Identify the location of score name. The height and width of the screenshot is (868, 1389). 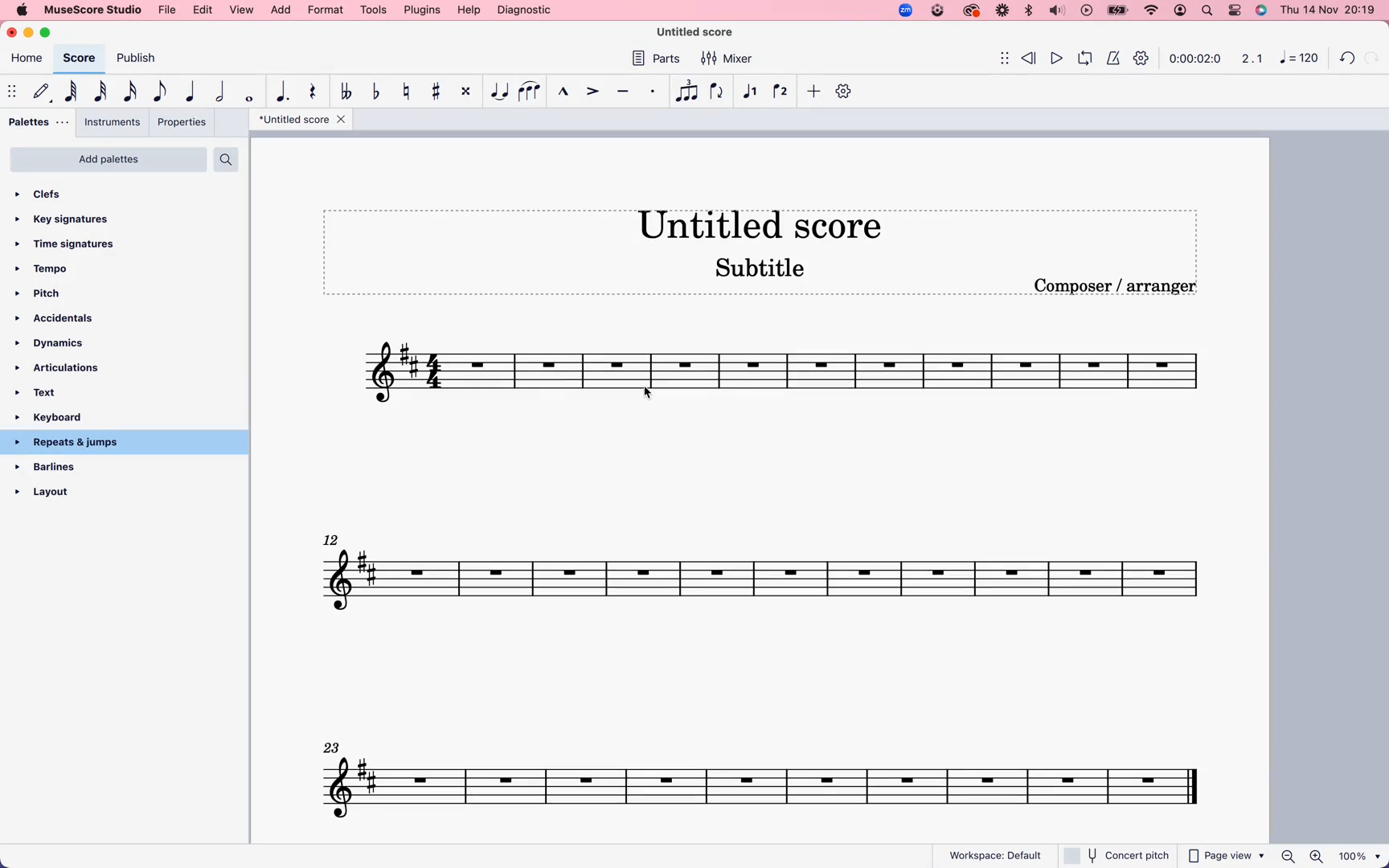
(703, 32).